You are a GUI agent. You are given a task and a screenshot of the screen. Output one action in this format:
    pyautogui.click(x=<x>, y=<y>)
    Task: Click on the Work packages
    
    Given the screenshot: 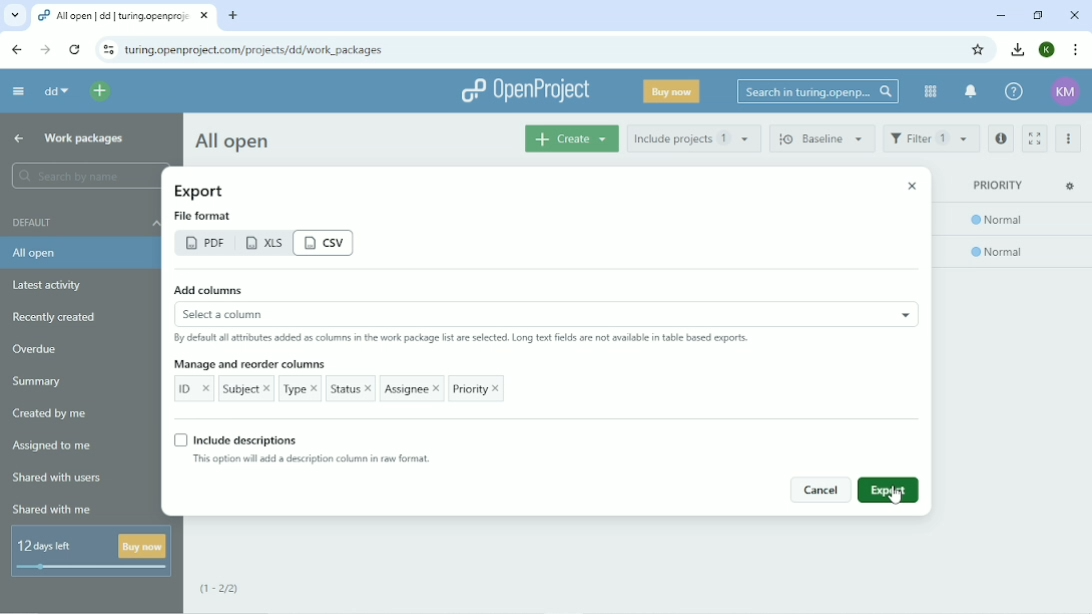 What is the action you would take?
    pyautogui.click(x=84, y=140)
    